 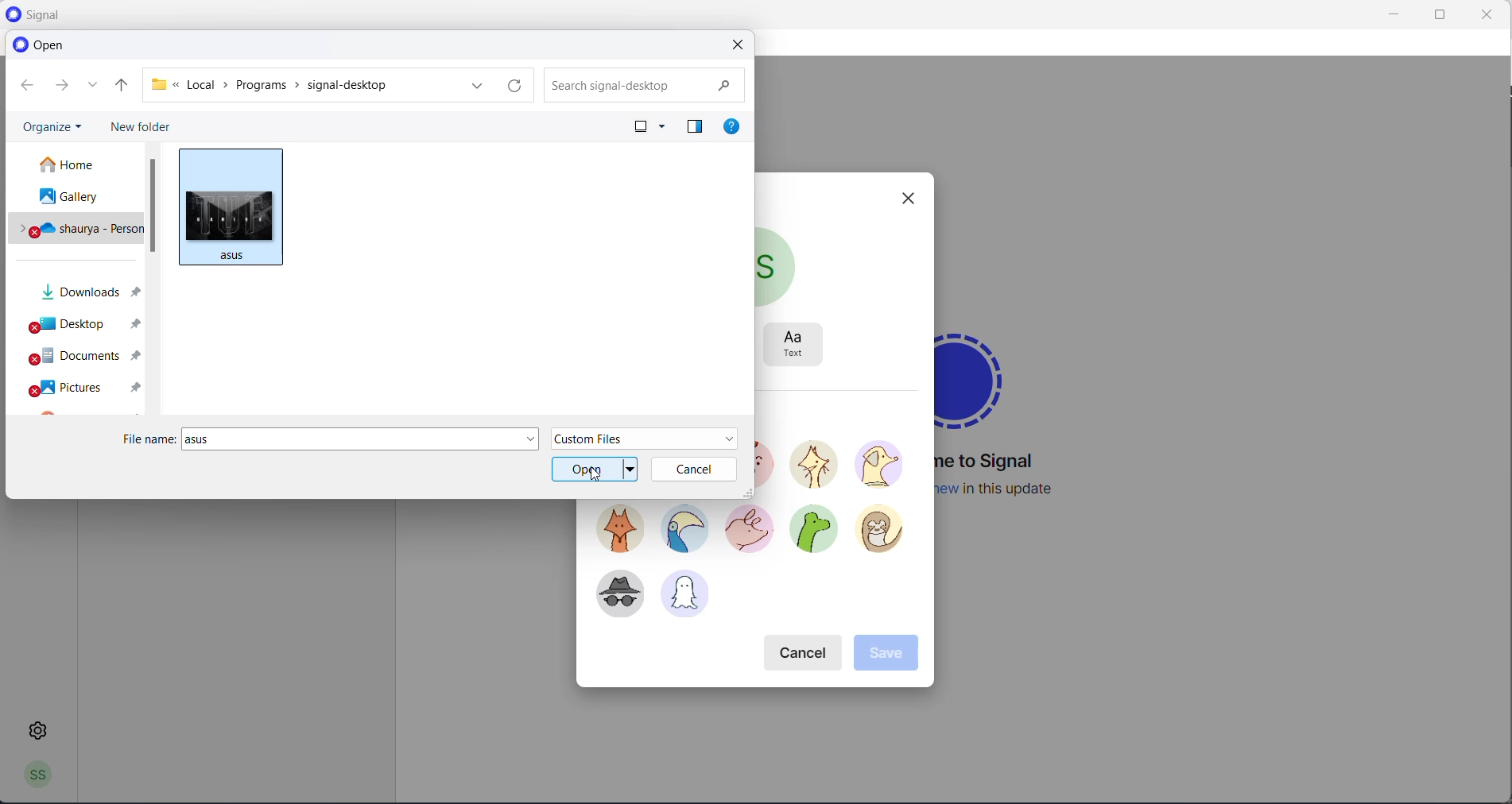 I want to click on avatar, so click(x=820, y=467).